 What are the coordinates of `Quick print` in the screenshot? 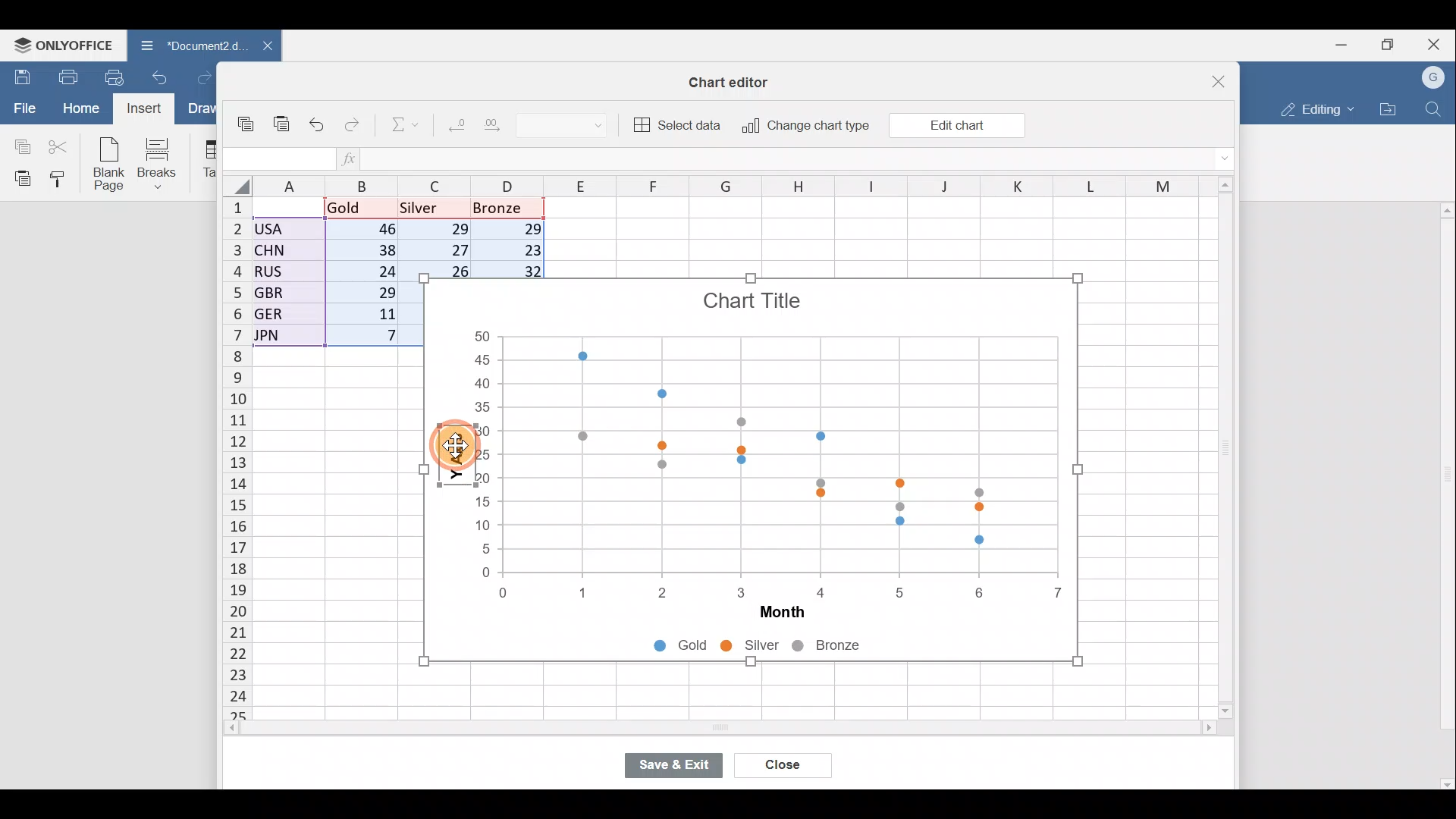 It's located at (115, 77).